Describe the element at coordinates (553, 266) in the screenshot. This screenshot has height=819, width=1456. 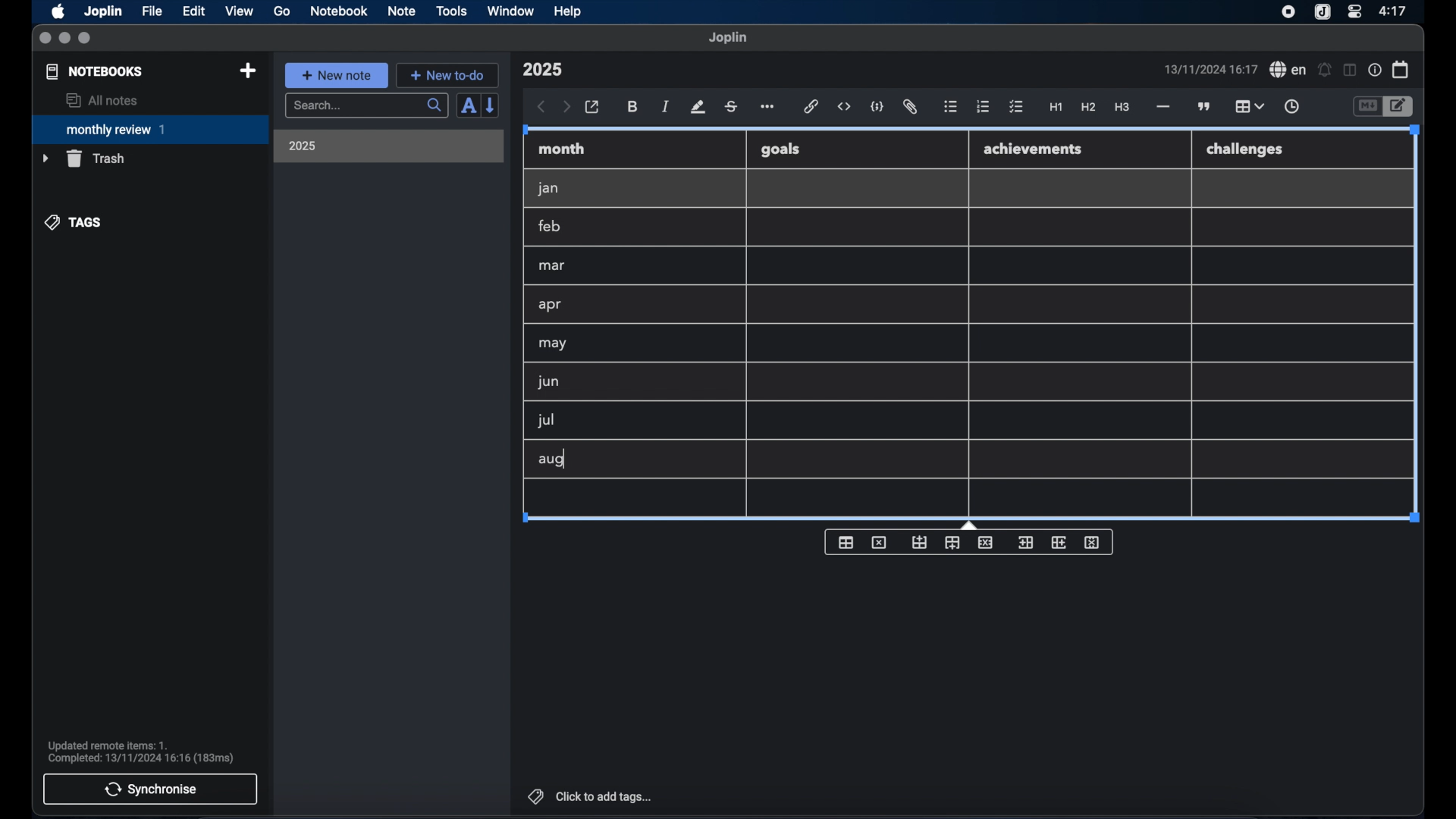
I see `mar` at that location.